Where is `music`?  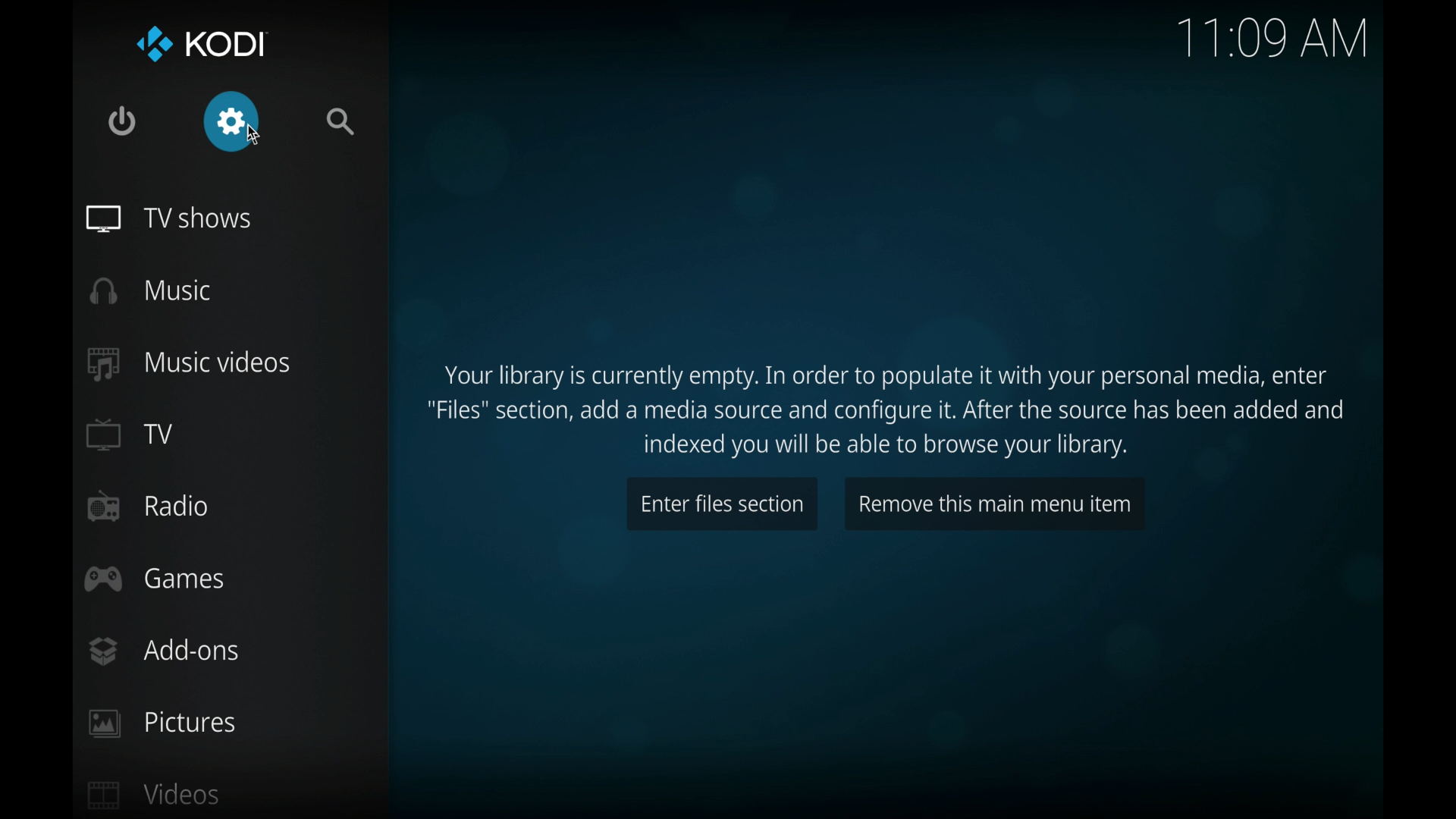 music is located at coordinates (151, 291).